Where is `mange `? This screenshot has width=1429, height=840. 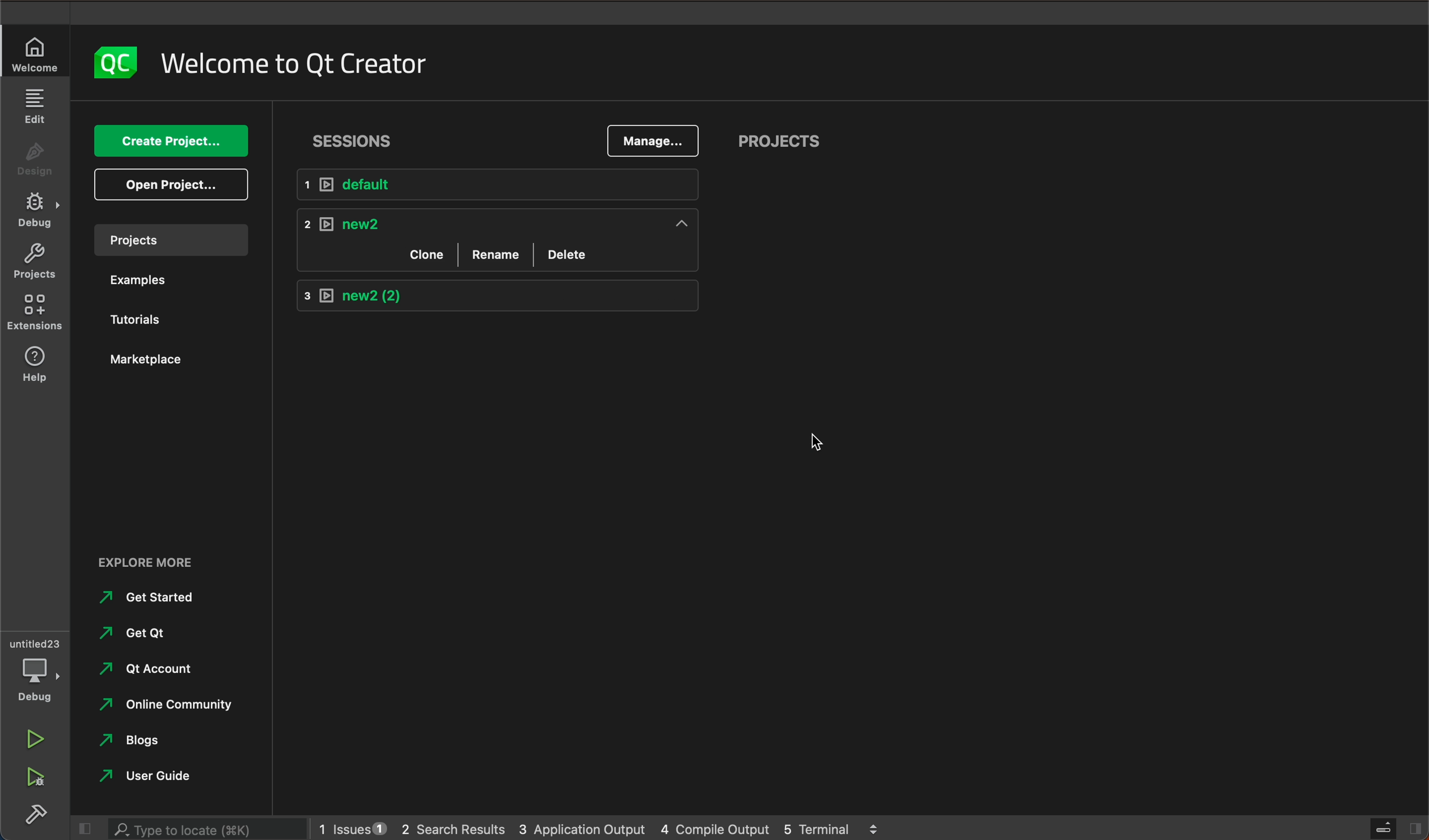
mange  is located at coordinates (653, 141).